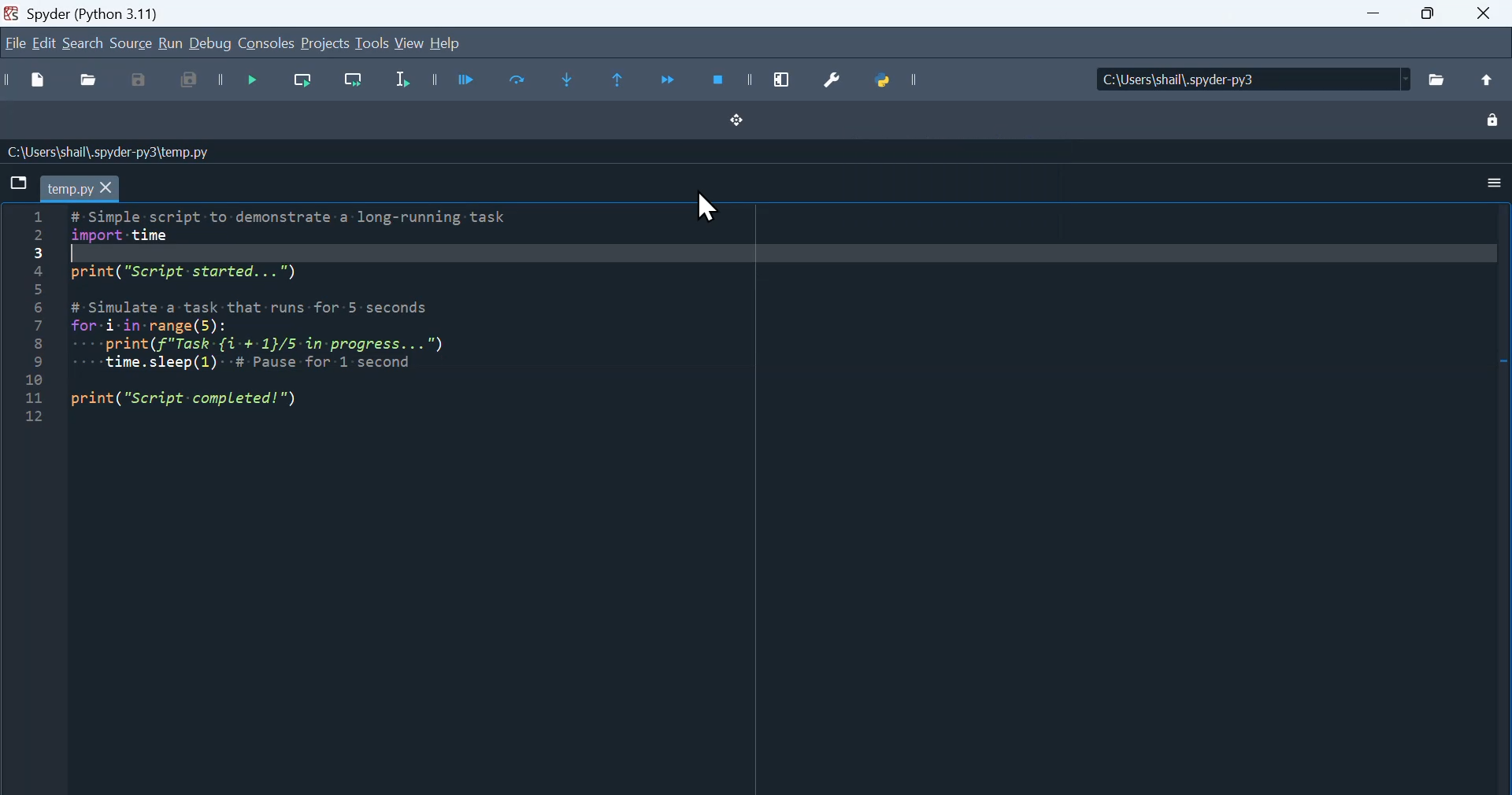 The height and width of the screenshot is (795, 1512). What do you see at coordinates (186, 83) in the screenshot?
I see `Save all` at bounding box center [186, 83].